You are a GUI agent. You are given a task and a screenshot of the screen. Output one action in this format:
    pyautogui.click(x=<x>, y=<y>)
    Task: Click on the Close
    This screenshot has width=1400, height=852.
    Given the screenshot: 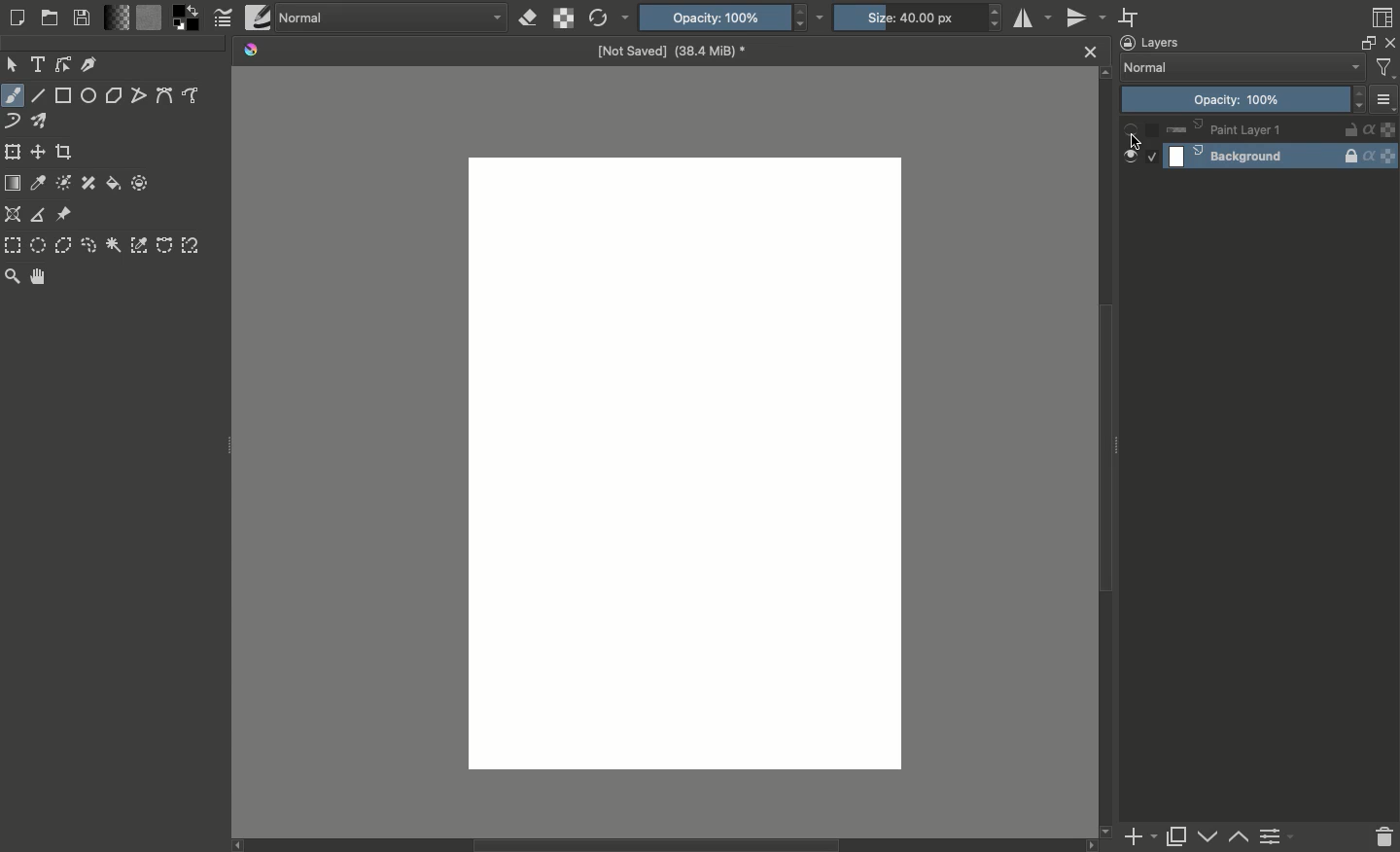 What is the action you would take?
    pyautogui.click(x=1092, y=52)
    